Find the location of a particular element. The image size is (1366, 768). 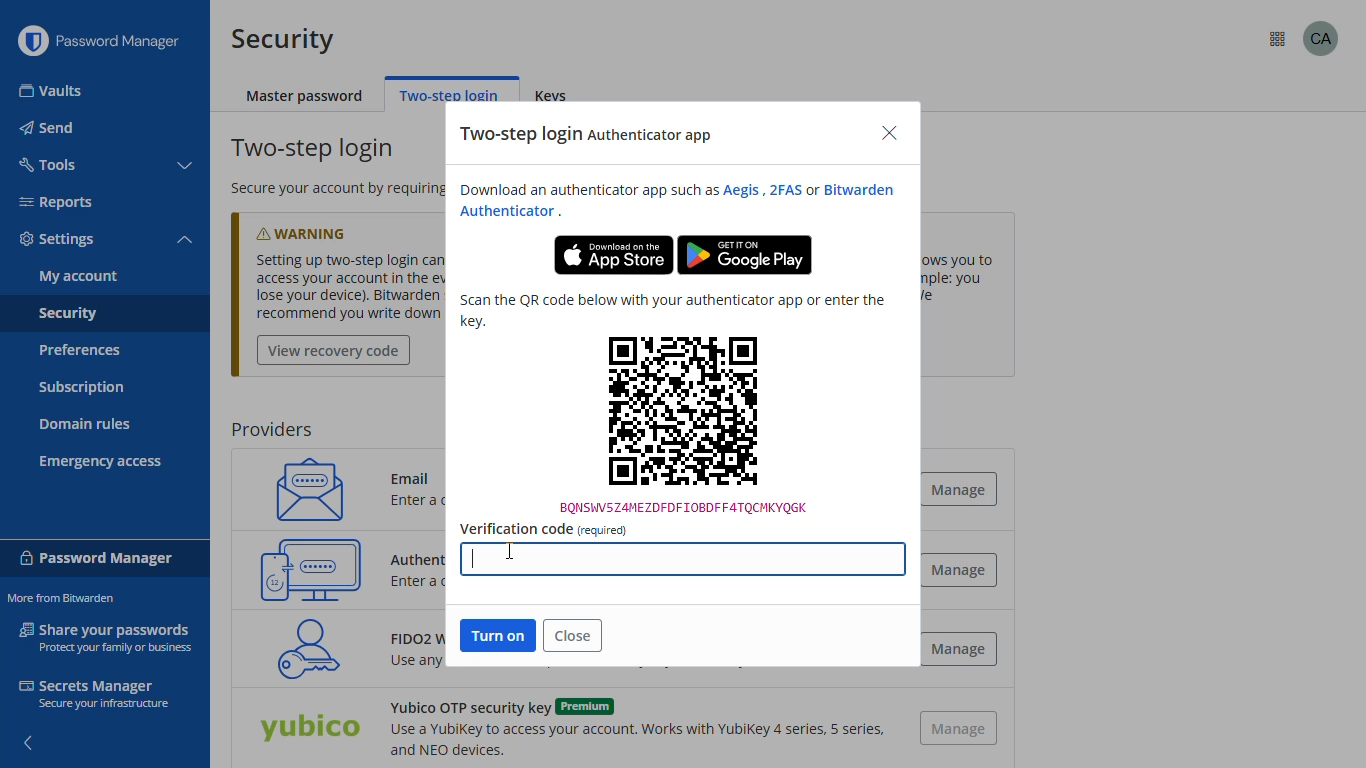

enter verification code is located at coordinates (680, 555).